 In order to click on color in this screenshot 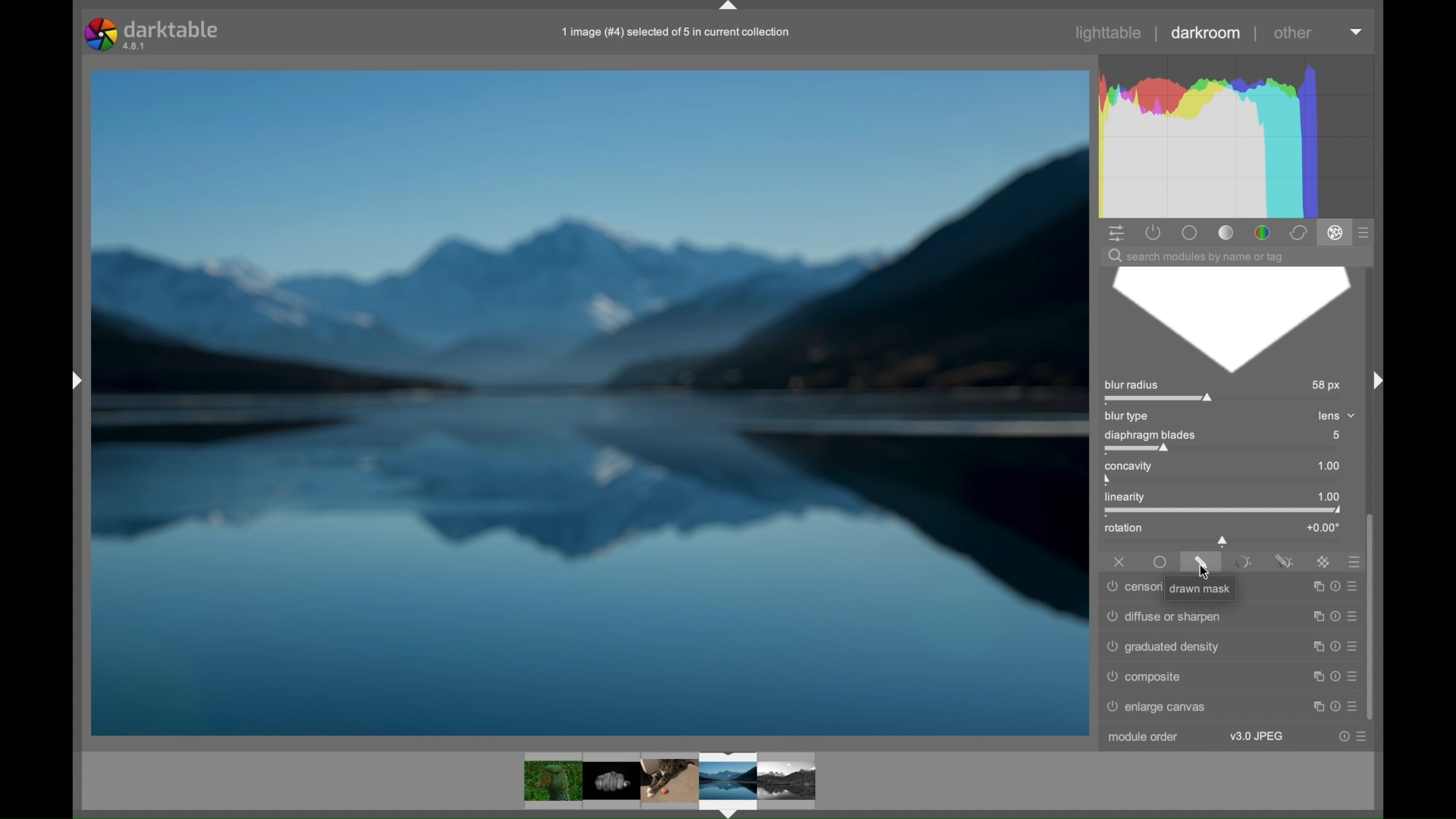, I will do `click(1261, 232)`.